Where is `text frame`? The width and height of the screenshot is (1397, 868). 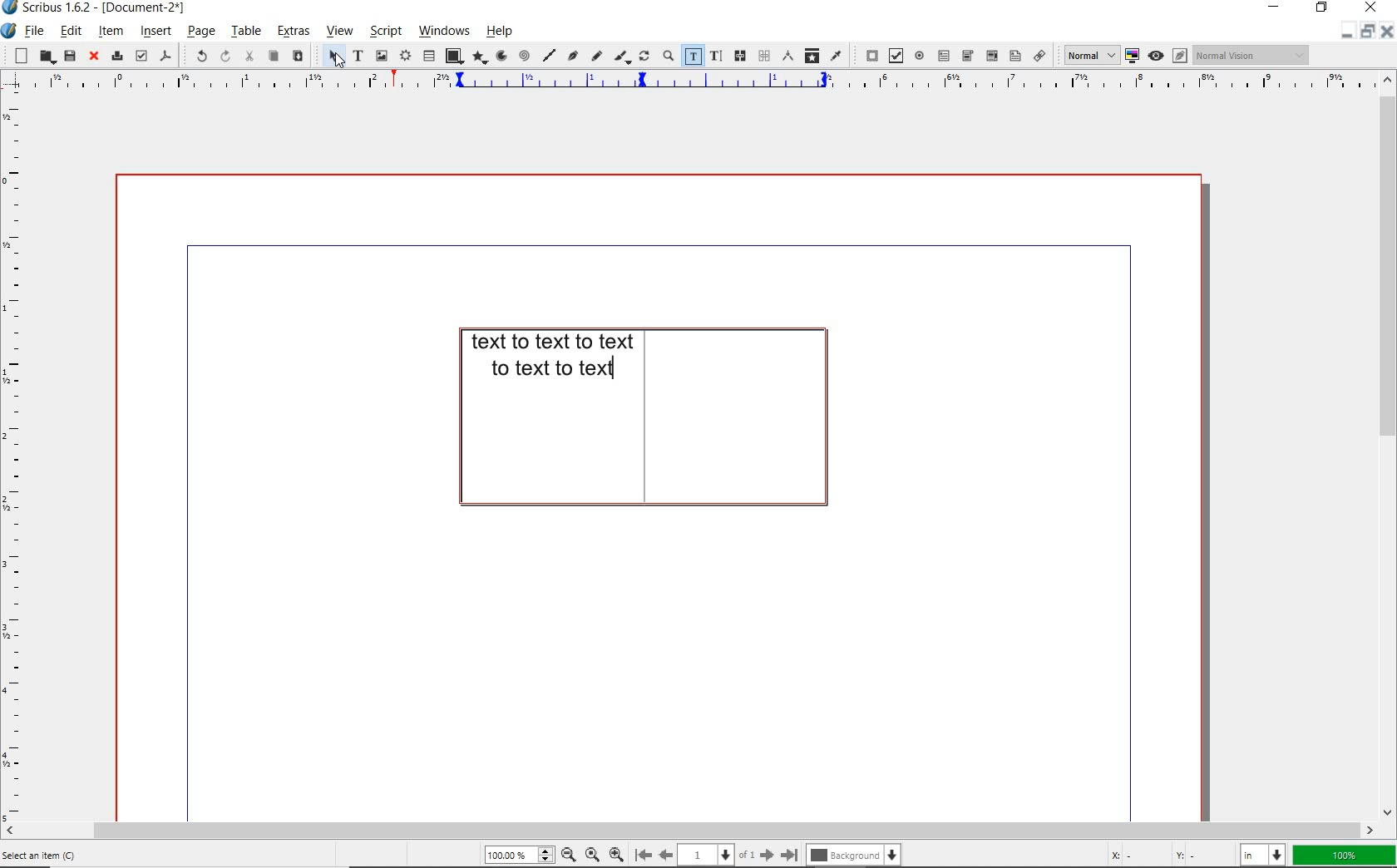
text frame is located at coordinates (358, 56).